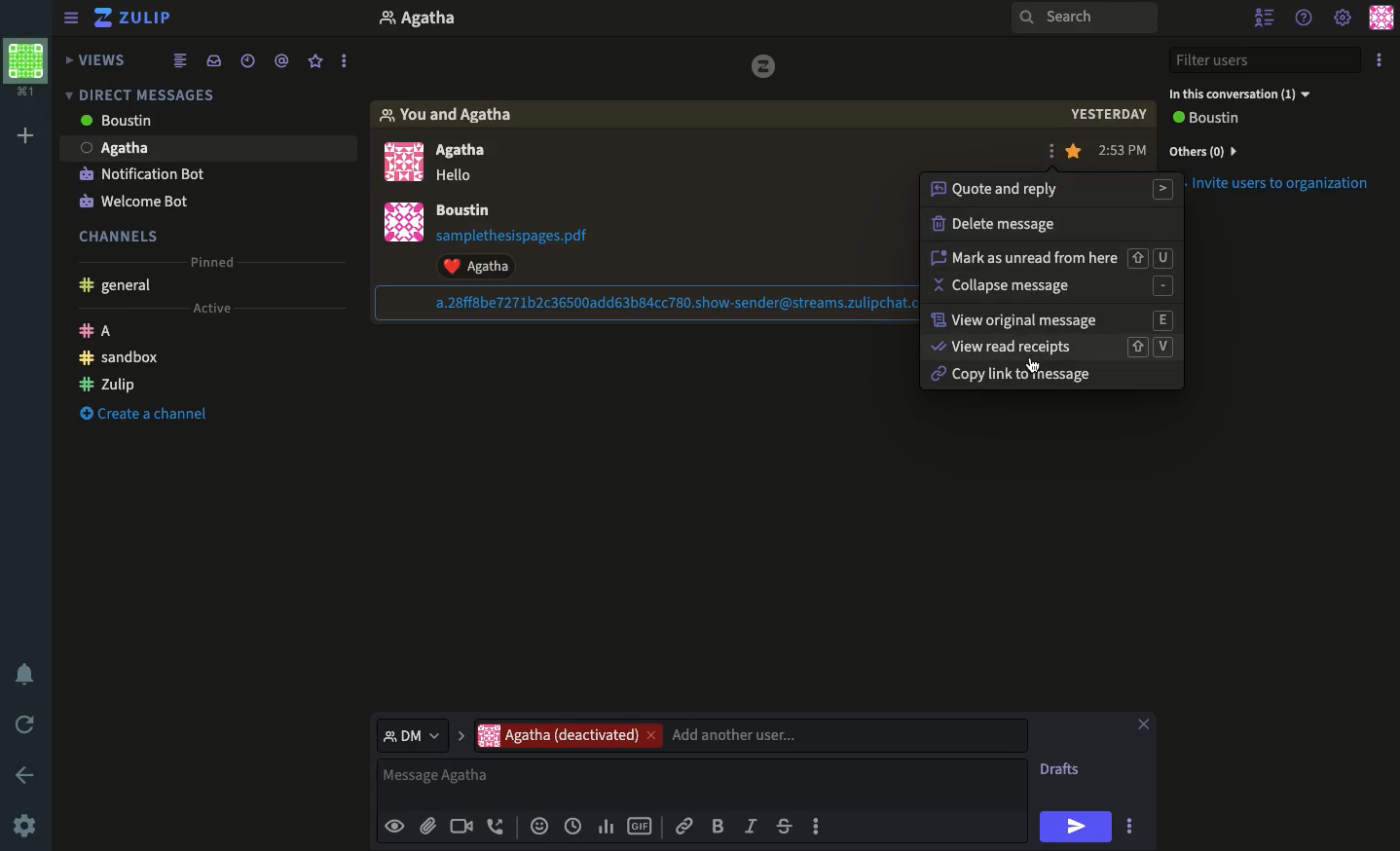 This screenshot has width=1400, height=851. Describe the element at coordinates (420, 734) in the screenshot. I see `DM` at that location.